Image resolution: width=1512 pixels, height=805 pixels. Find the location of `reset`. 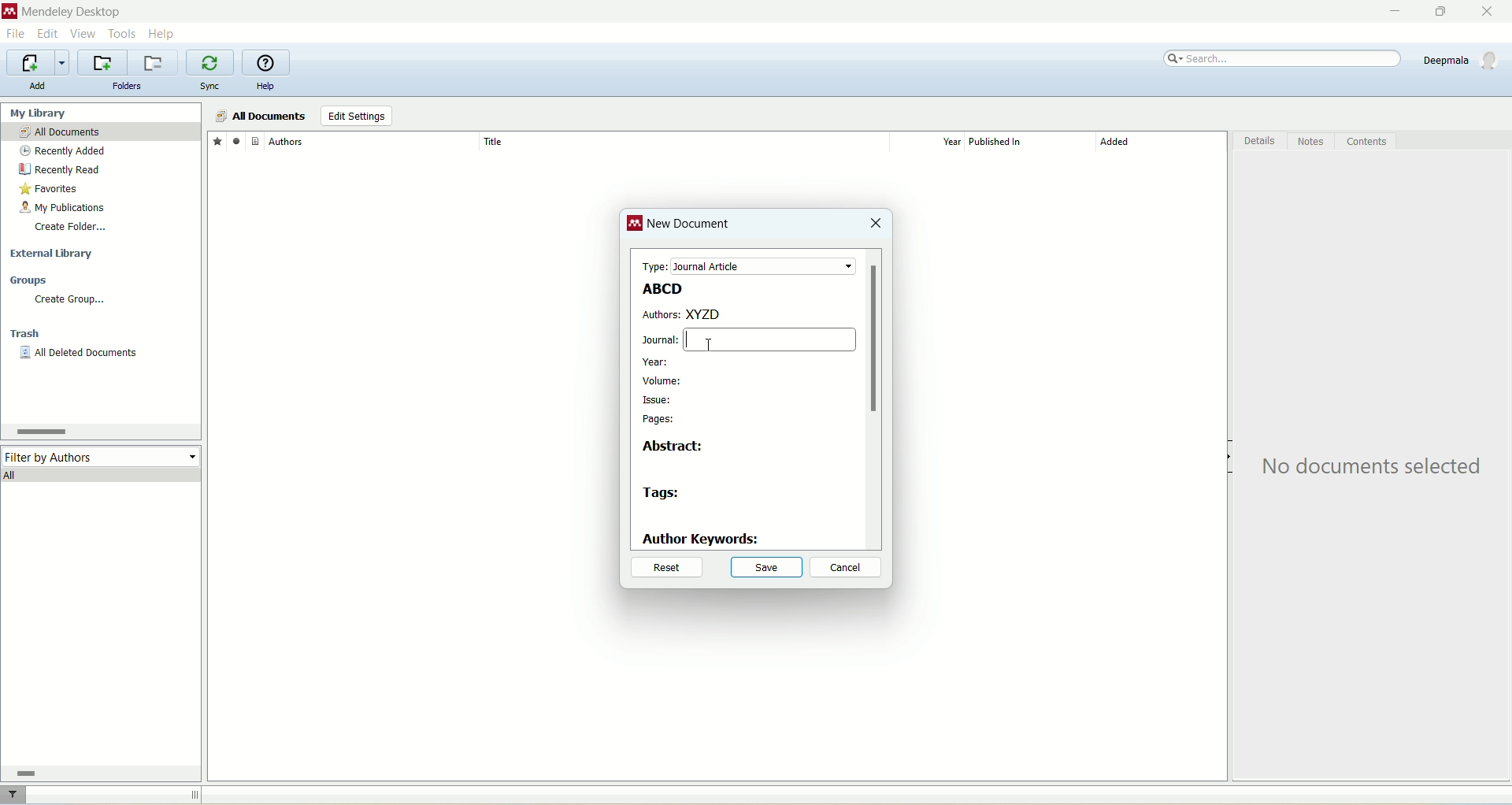

reset is located at coordinates (665, 569).